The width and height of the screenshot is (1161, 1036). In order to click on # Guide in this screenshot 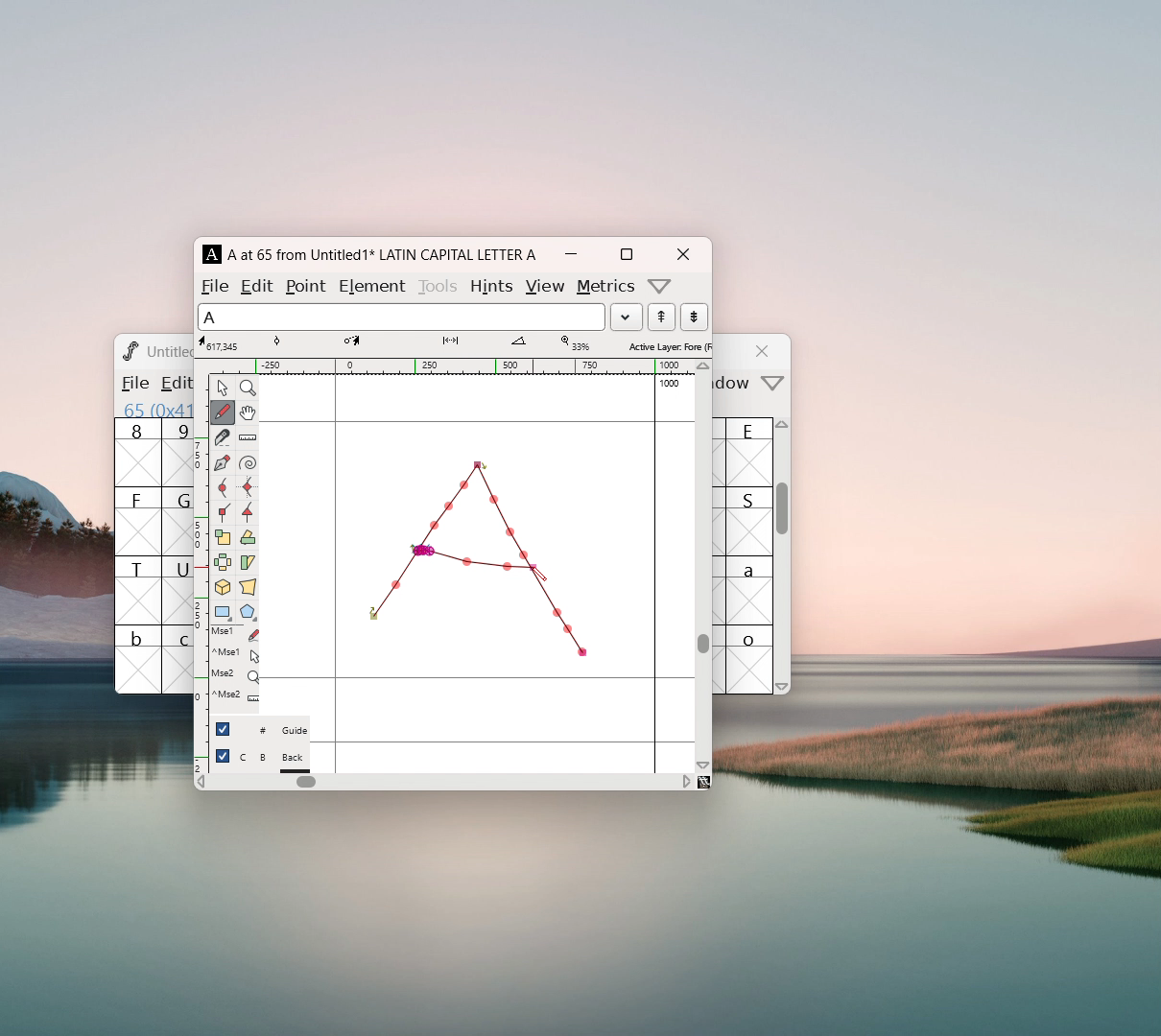, I will do `click(273, 731)`.